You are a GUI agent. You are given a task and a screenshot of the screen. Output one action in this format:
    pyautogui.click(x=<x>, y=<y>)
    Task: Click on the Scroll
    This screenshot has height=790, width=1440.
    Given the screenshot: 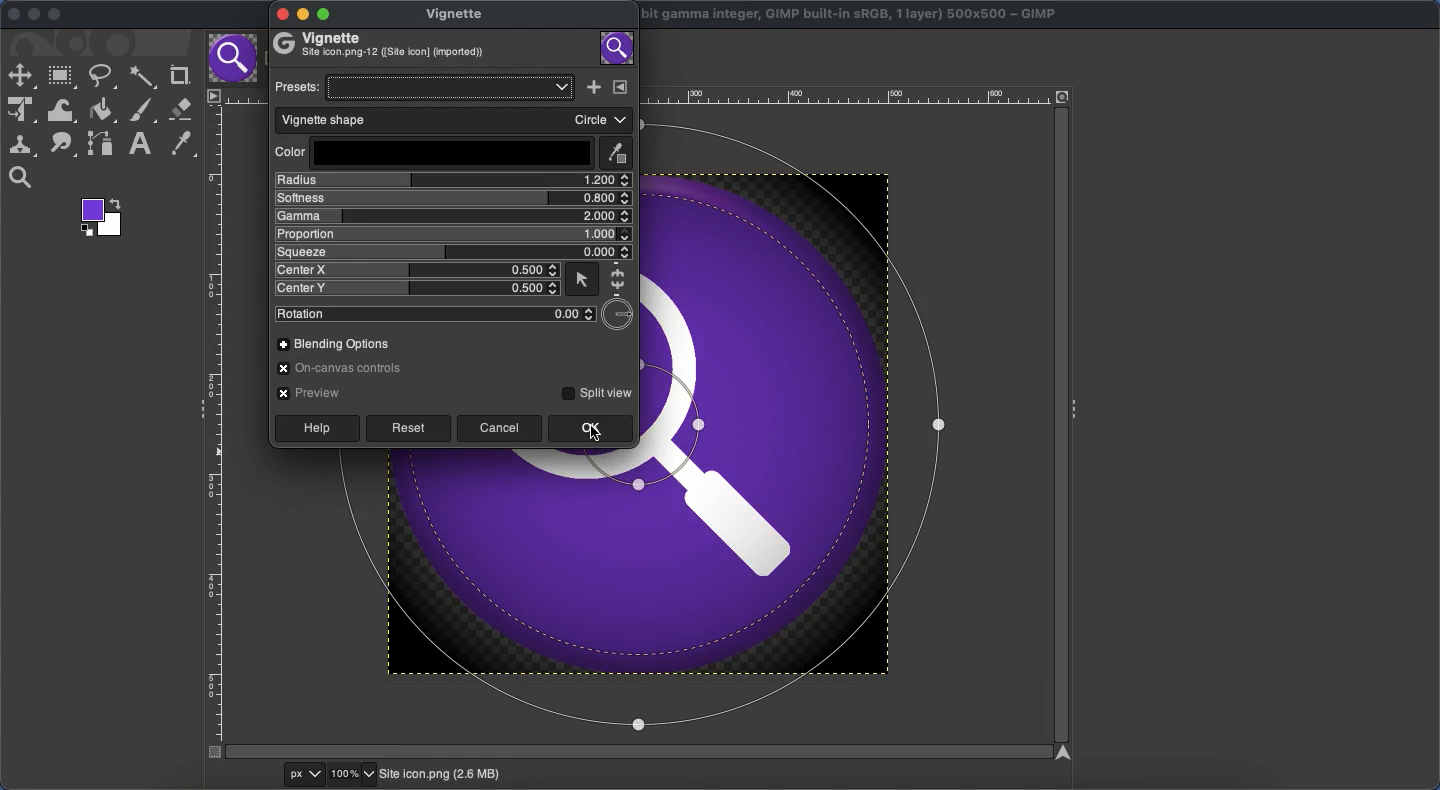 What is the action you would take?
    pyautogui.click(x=632, y=752)
    